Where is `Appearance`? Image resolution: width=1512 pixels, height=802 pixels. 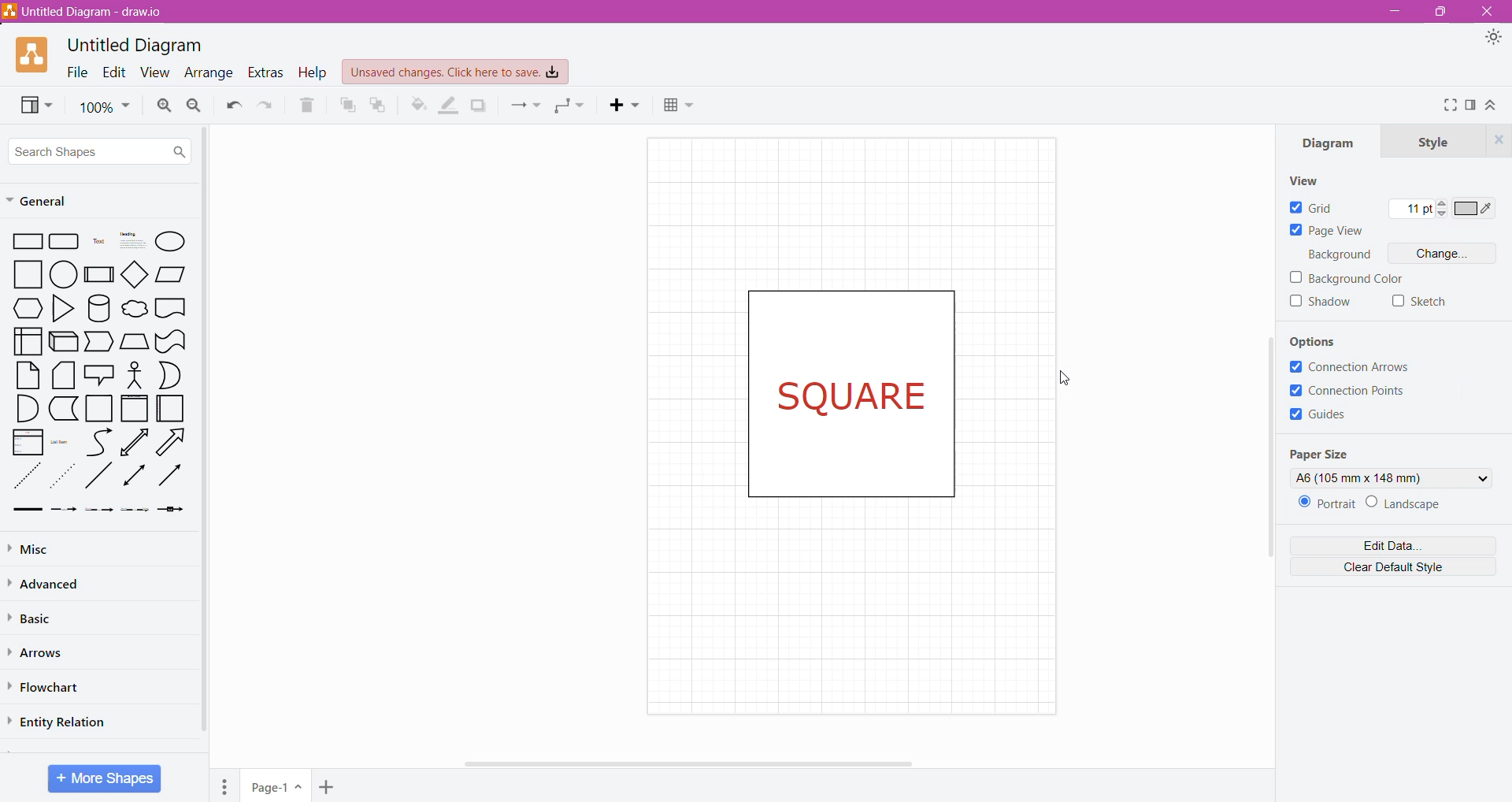
Appearance is located at coordinates (1493, 38).